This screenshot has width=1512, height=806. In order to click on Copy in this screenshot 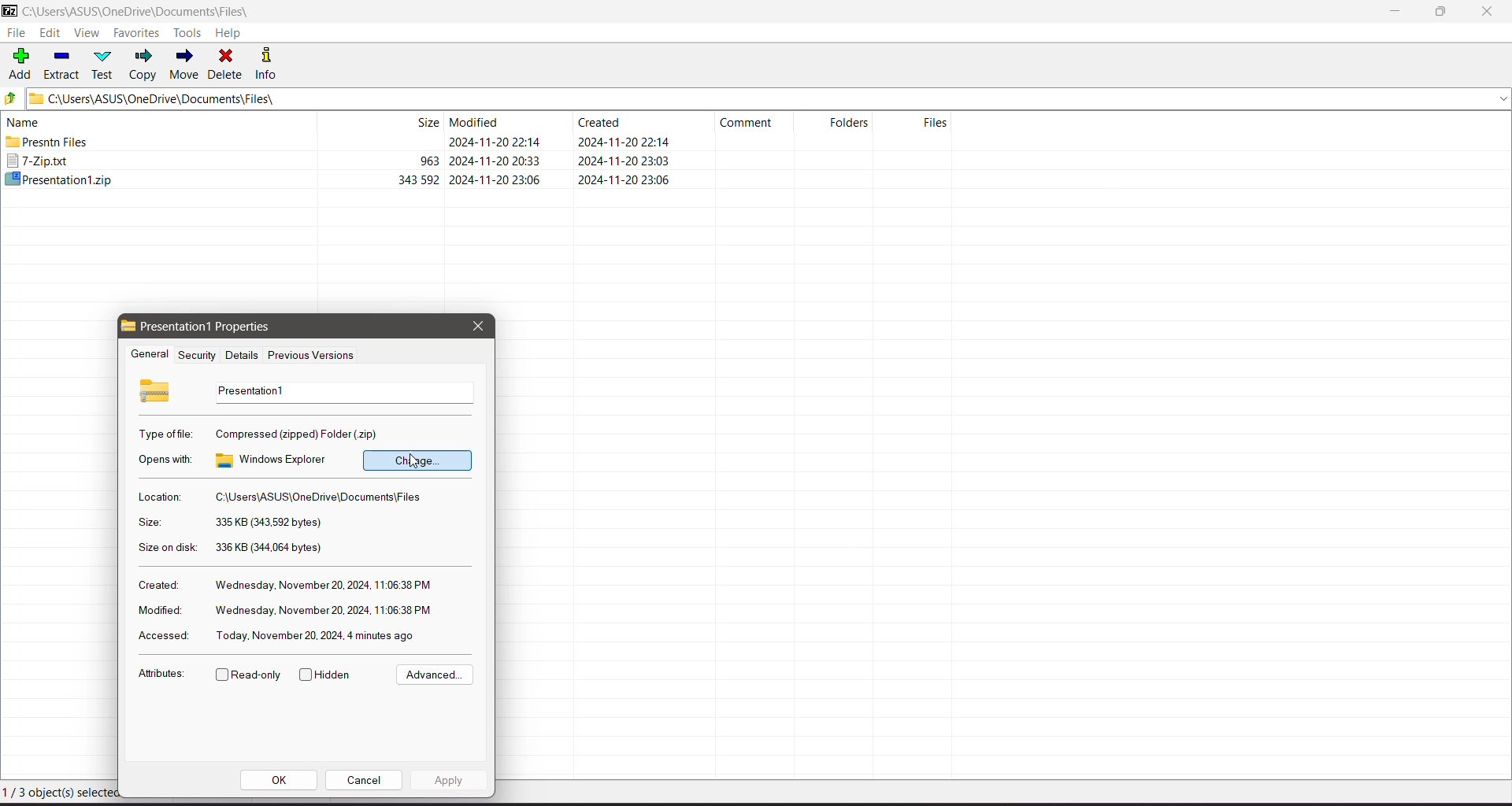, I will do `click(144, 65)`.